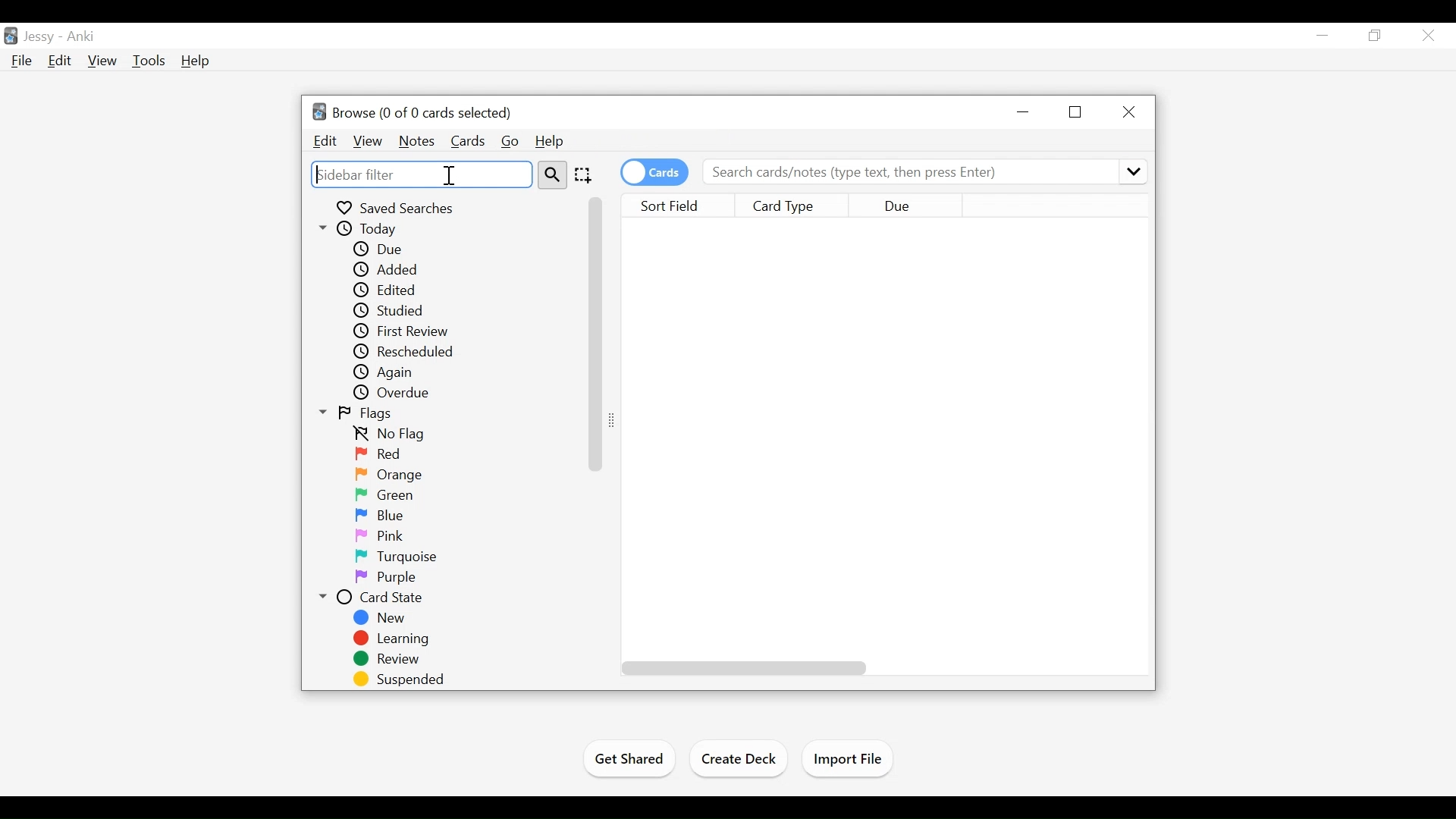  Describe the element at coordinates (904, 206) in the screenshot. I see `Due ` at that location.